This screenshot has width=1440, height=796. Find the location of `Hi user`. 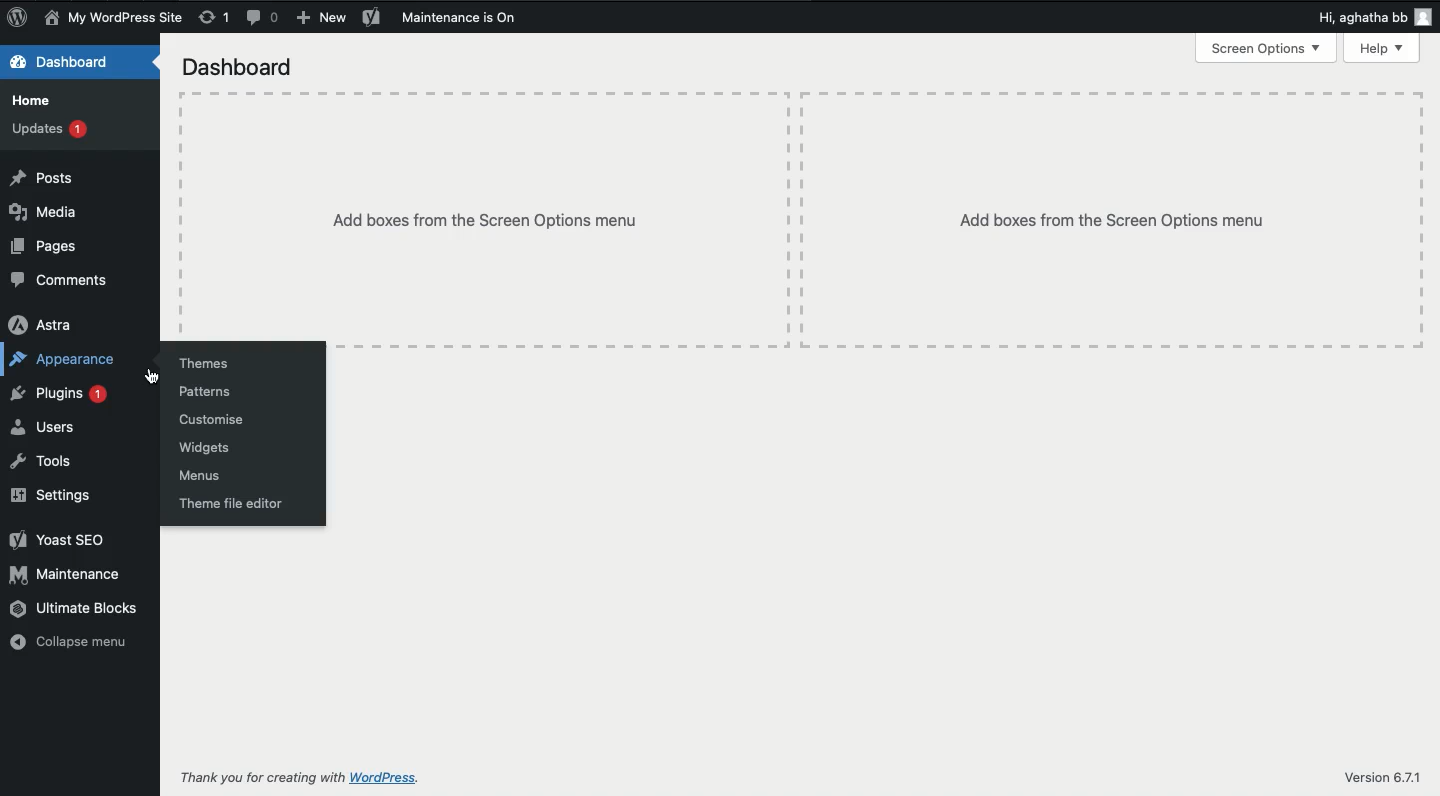

Hi user is located at coordinates (1372, 17).